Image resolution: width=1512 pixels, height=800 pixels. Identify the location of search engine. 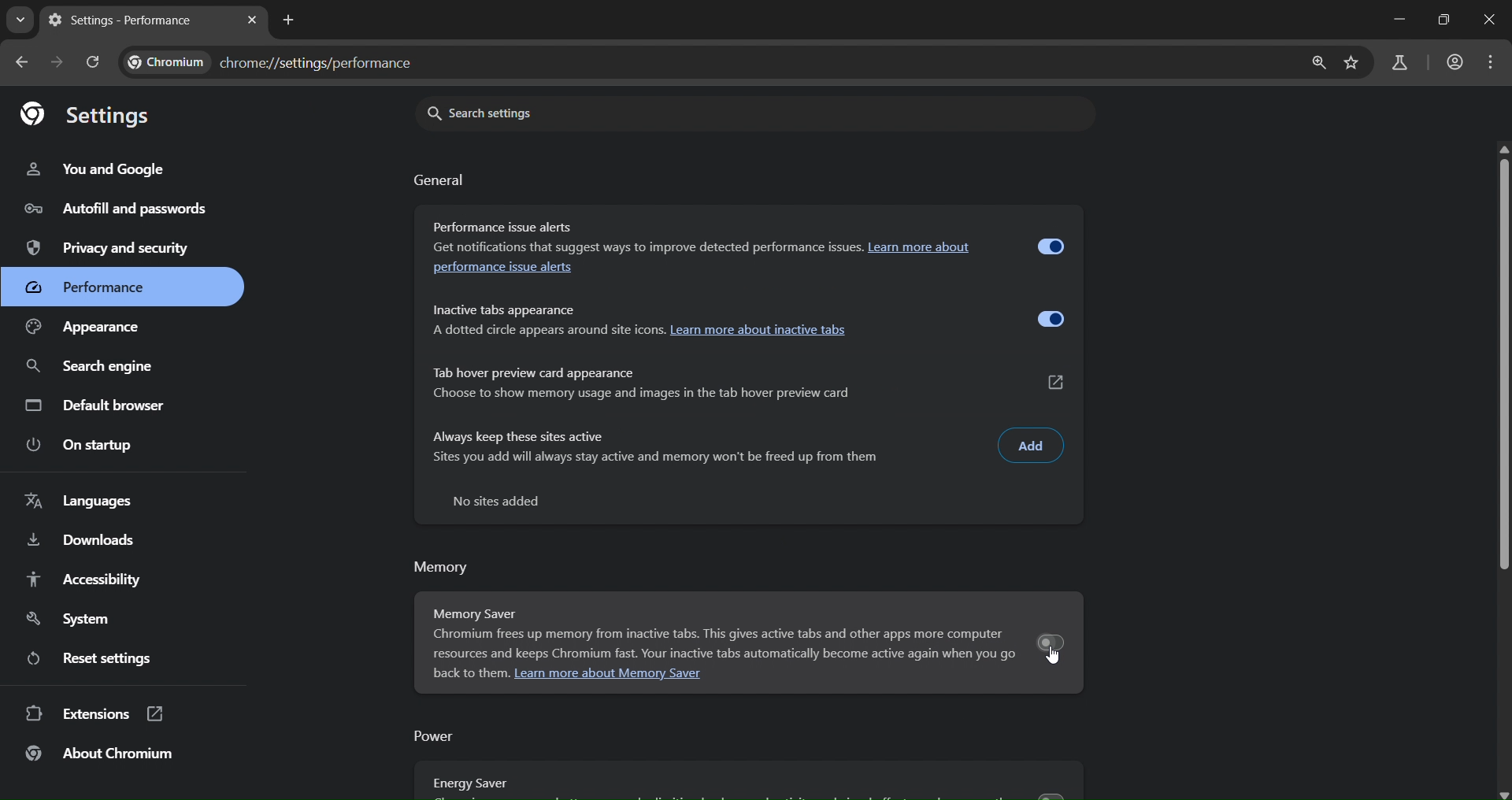
(93, 365).